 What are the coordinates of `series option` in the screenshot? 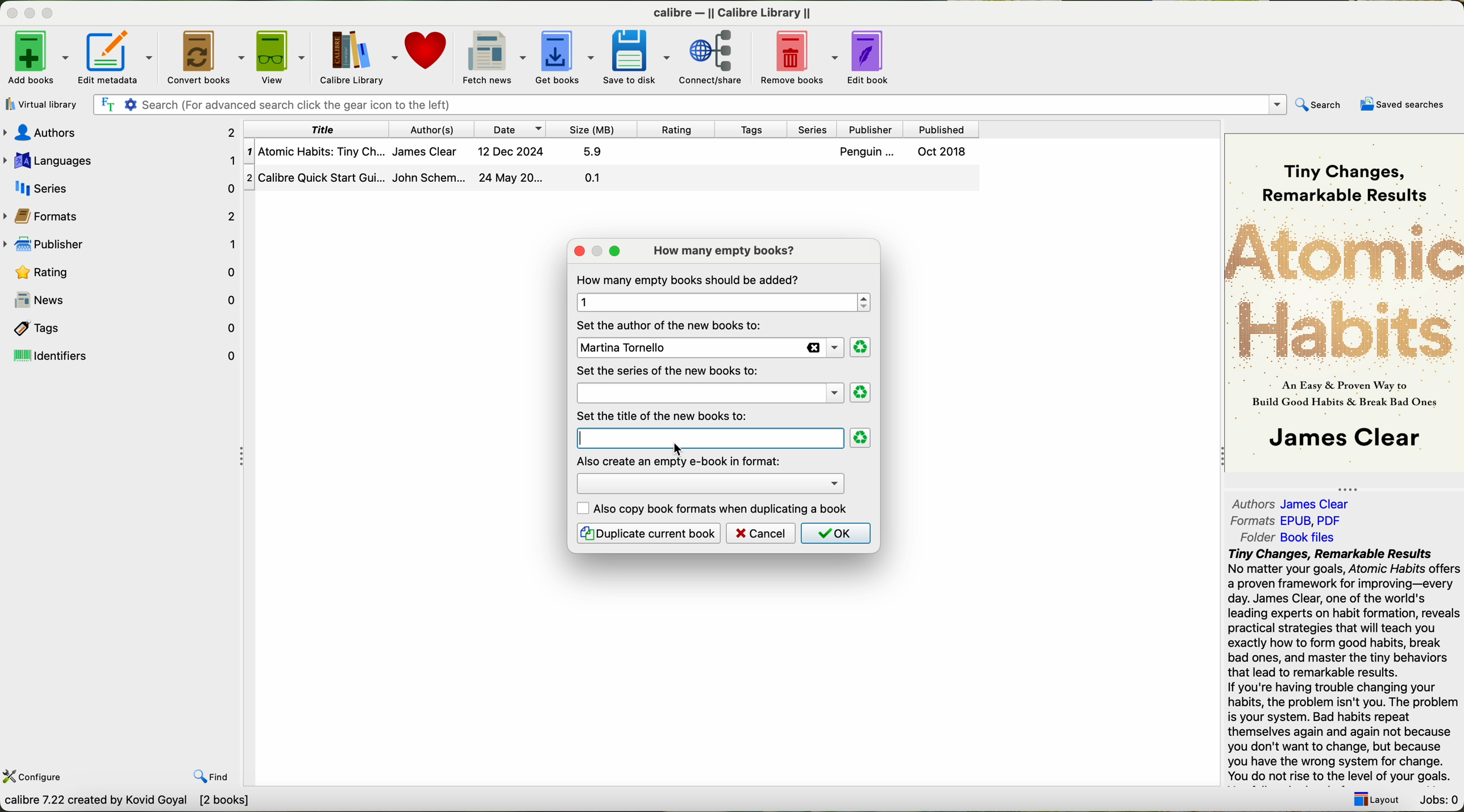 It's located at (709, 397).